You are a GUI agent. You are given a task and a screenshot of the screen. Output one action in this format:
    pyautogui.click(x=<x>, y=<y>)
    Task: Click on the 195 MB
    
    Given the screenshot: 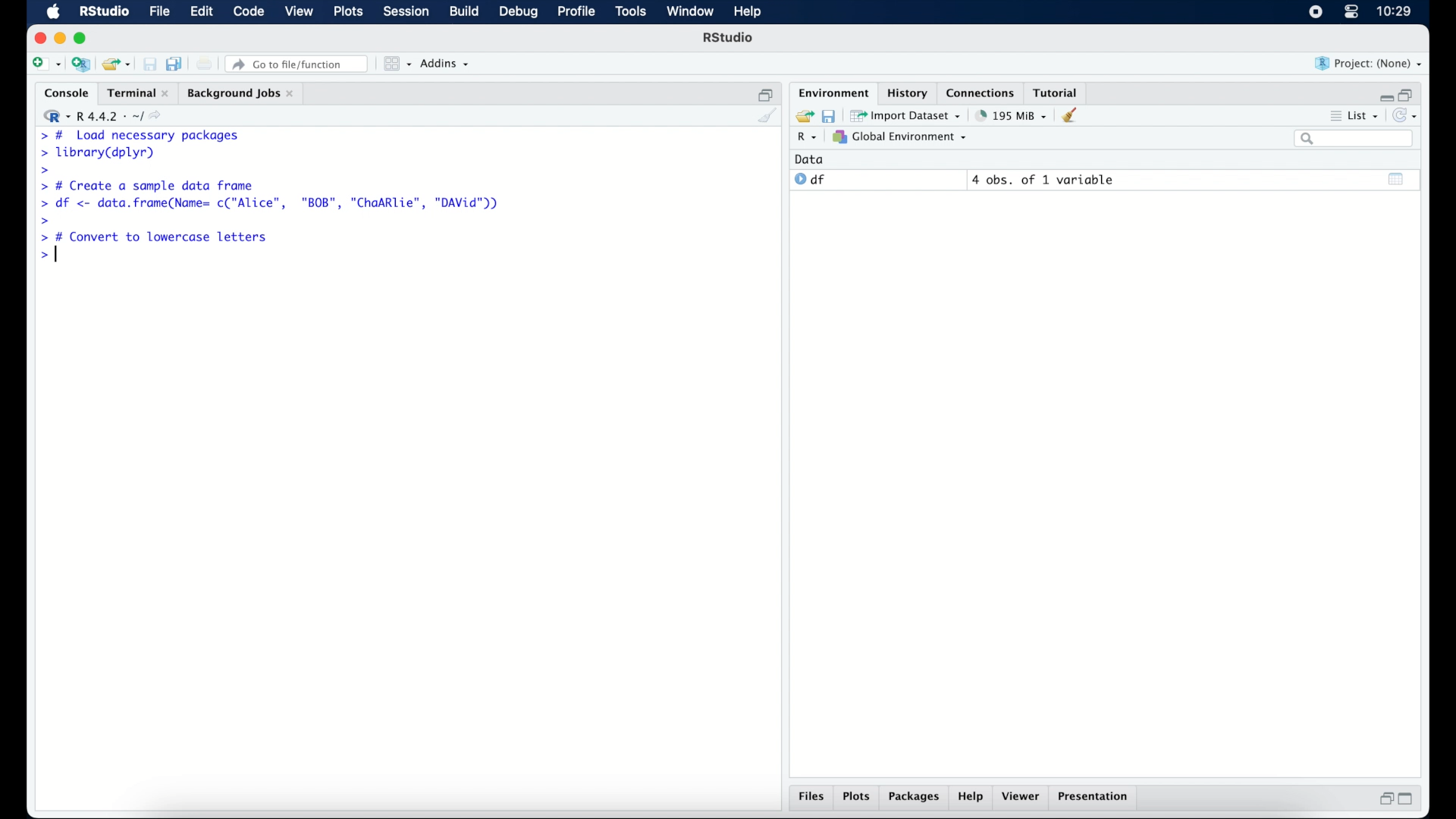 What is the action you would take?
    pyautogui.click(x=1010, y=115)
    